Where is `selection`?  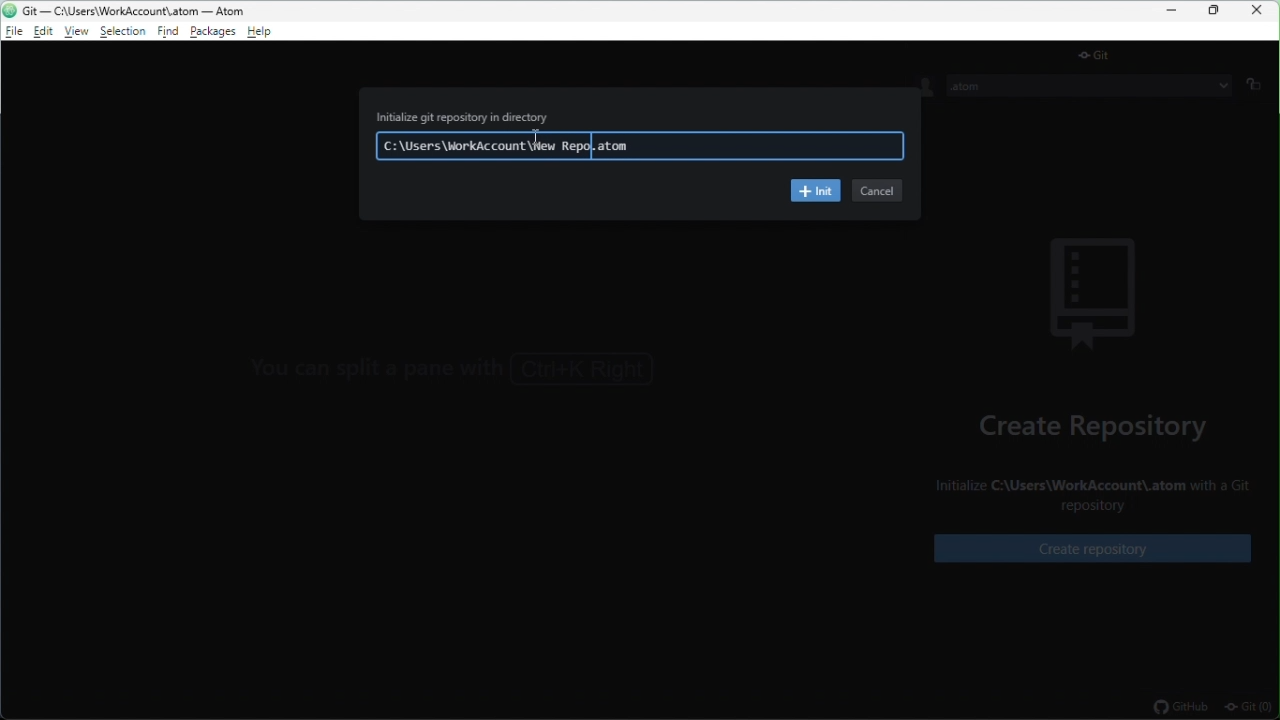 selection is located at coordinates (125, 34).